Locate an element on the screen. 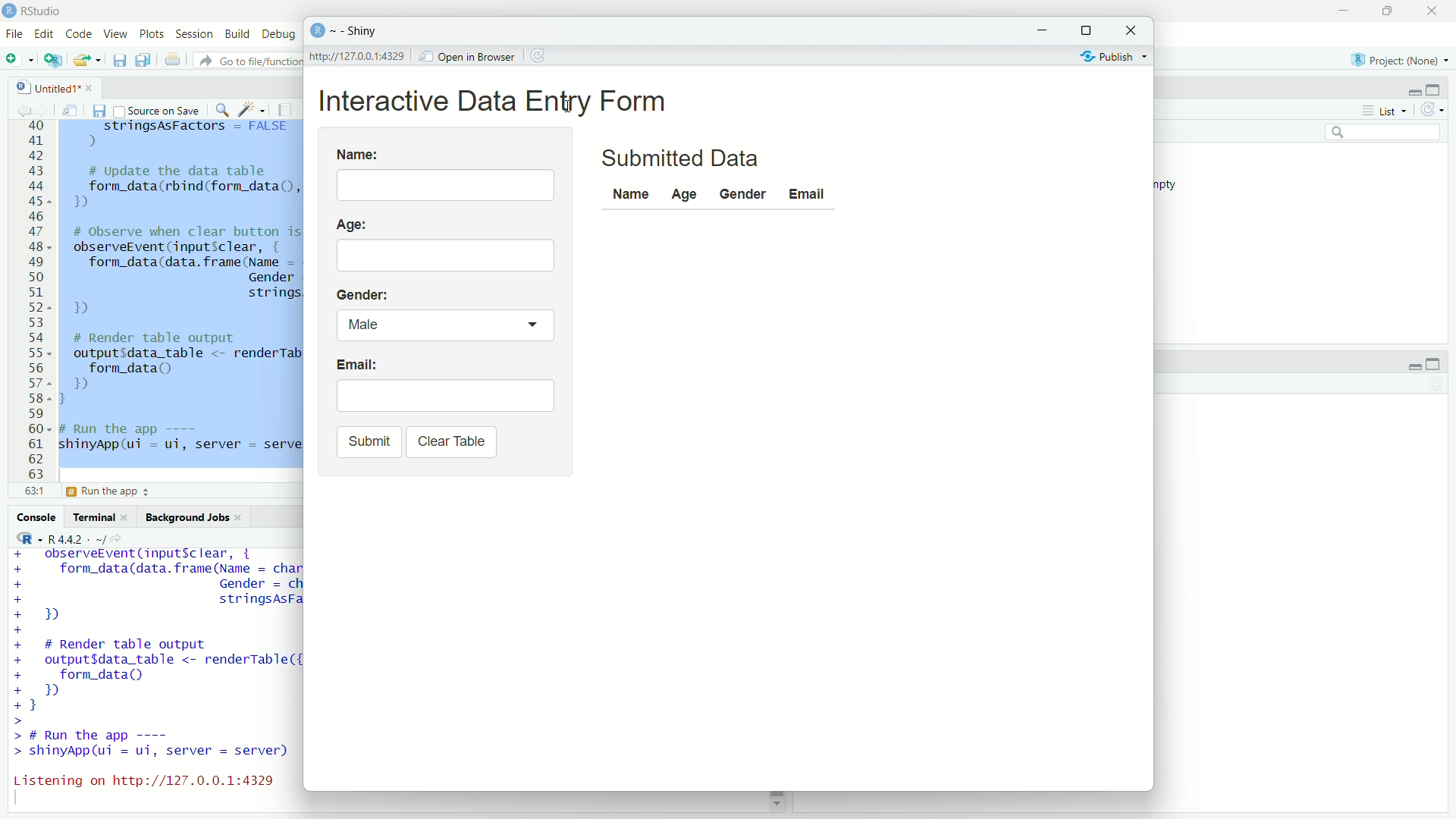  minimize is located at coordinates (1408, 362).